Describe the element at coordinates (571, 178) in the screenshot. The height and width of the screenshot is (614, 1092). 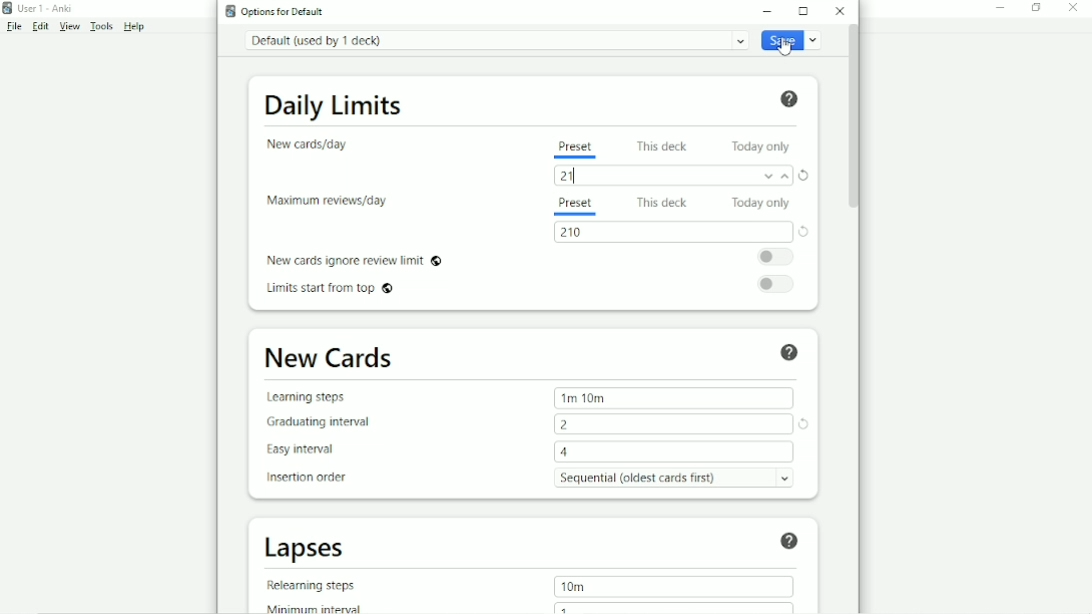
I see `21` at that location.